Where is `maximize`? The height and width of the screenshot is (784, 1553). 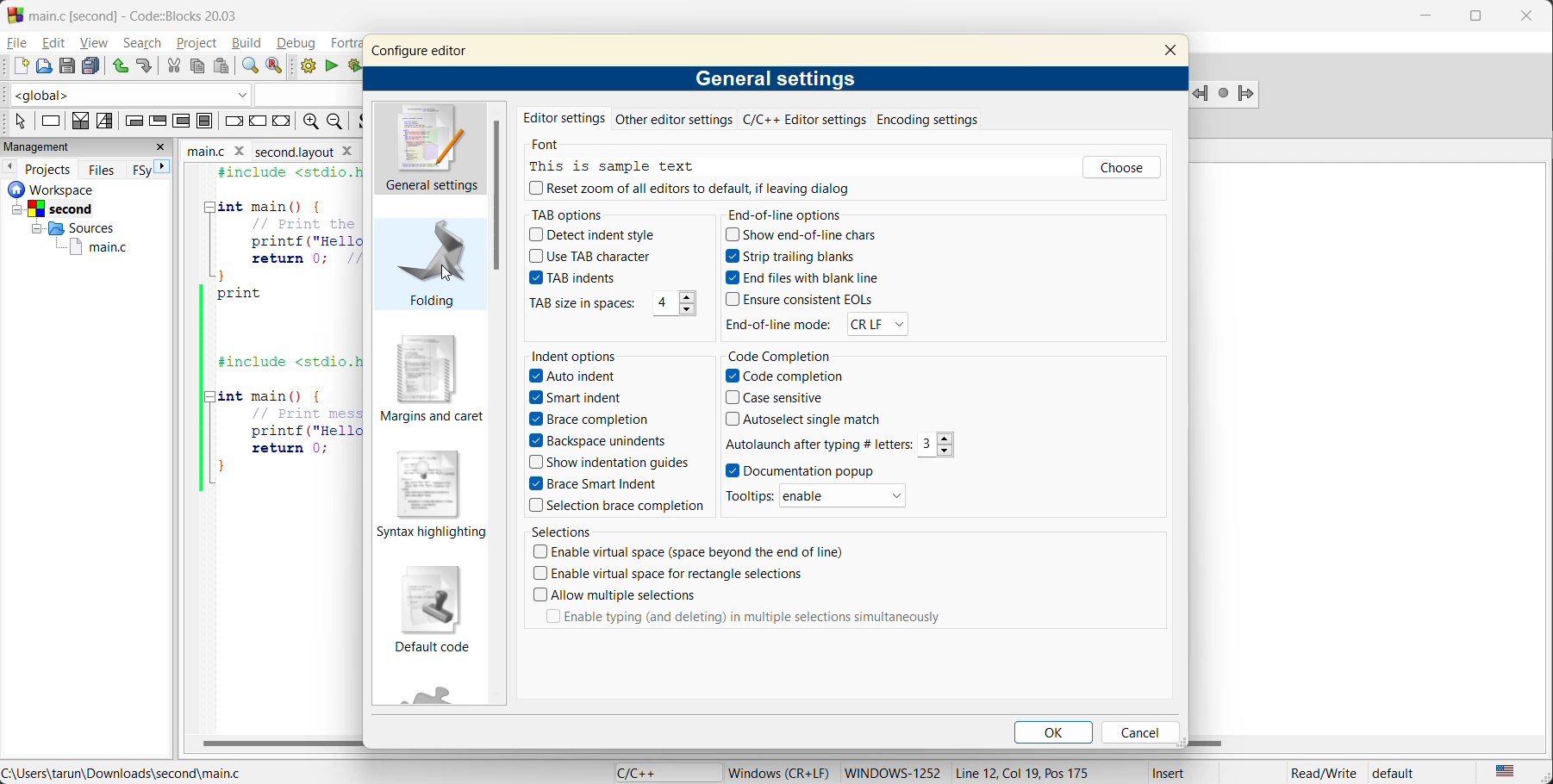
maximize is located at coordinates (1476, 19).